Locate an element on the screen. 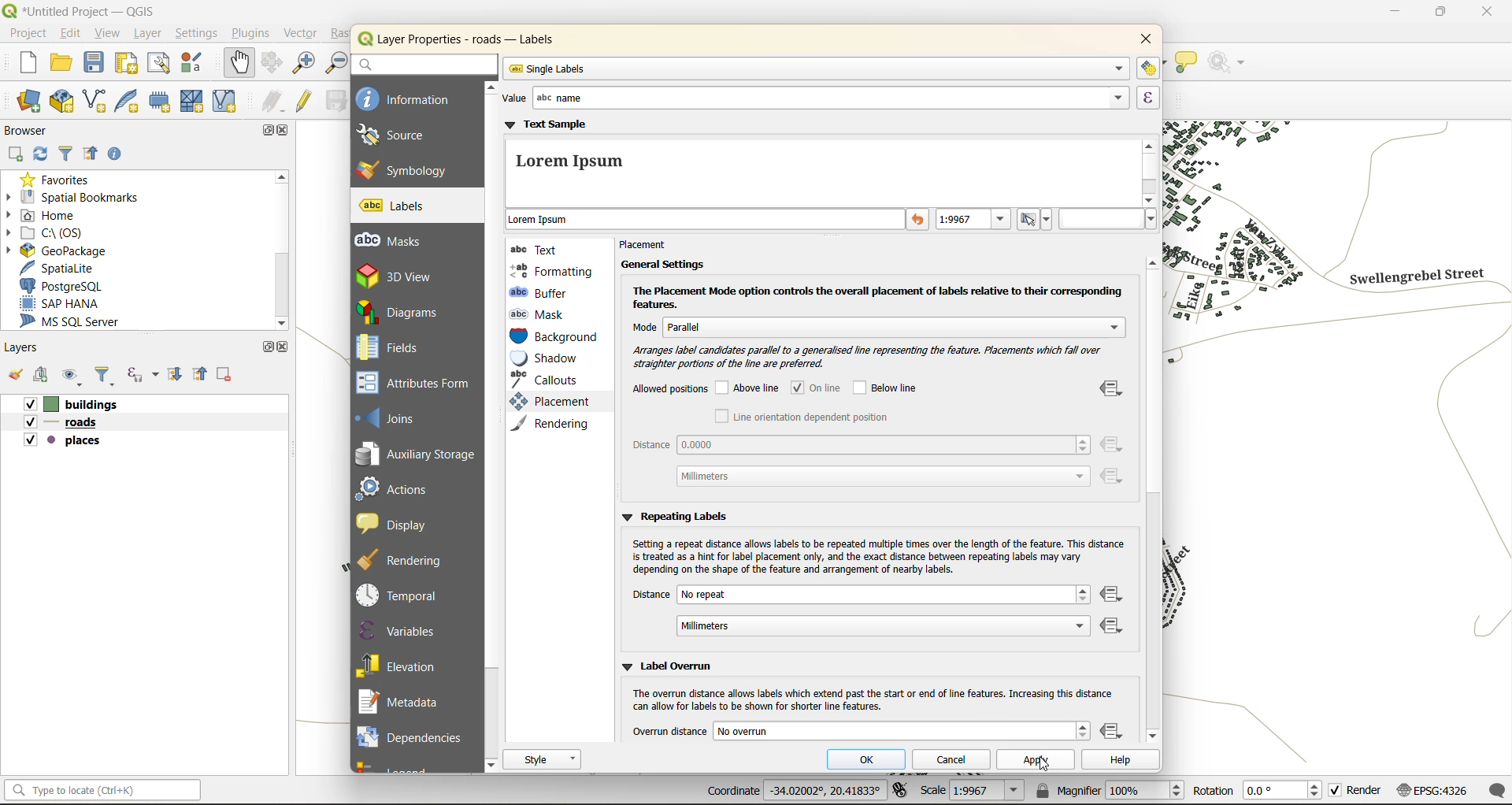 This screenshot has height=805, width=1512. data defined override is located at coordinates (1114, 733).